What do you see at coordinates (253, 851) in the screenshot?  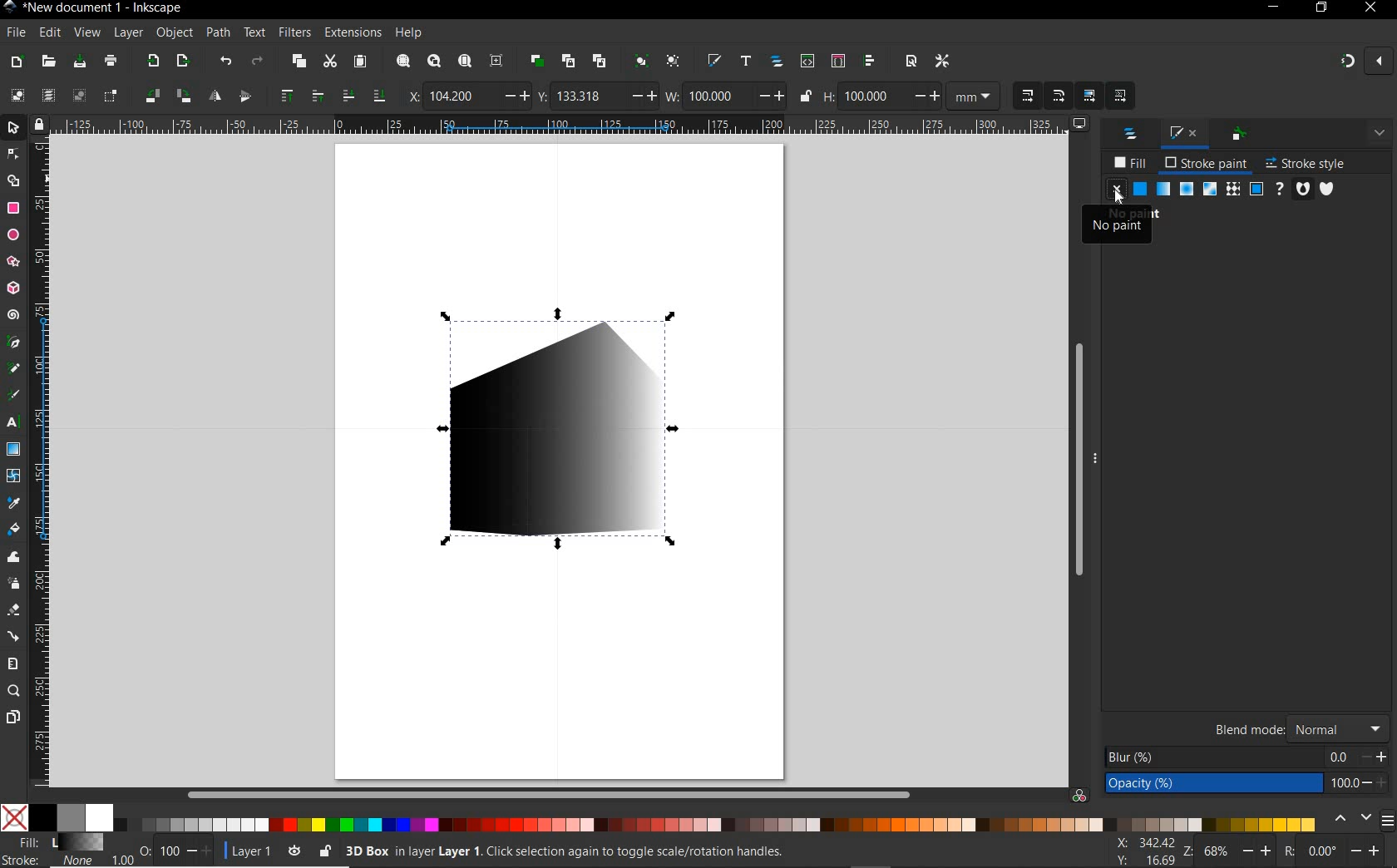 I see `LAYER 1-CURRENT LAYER` at bounding box center [253, 851].